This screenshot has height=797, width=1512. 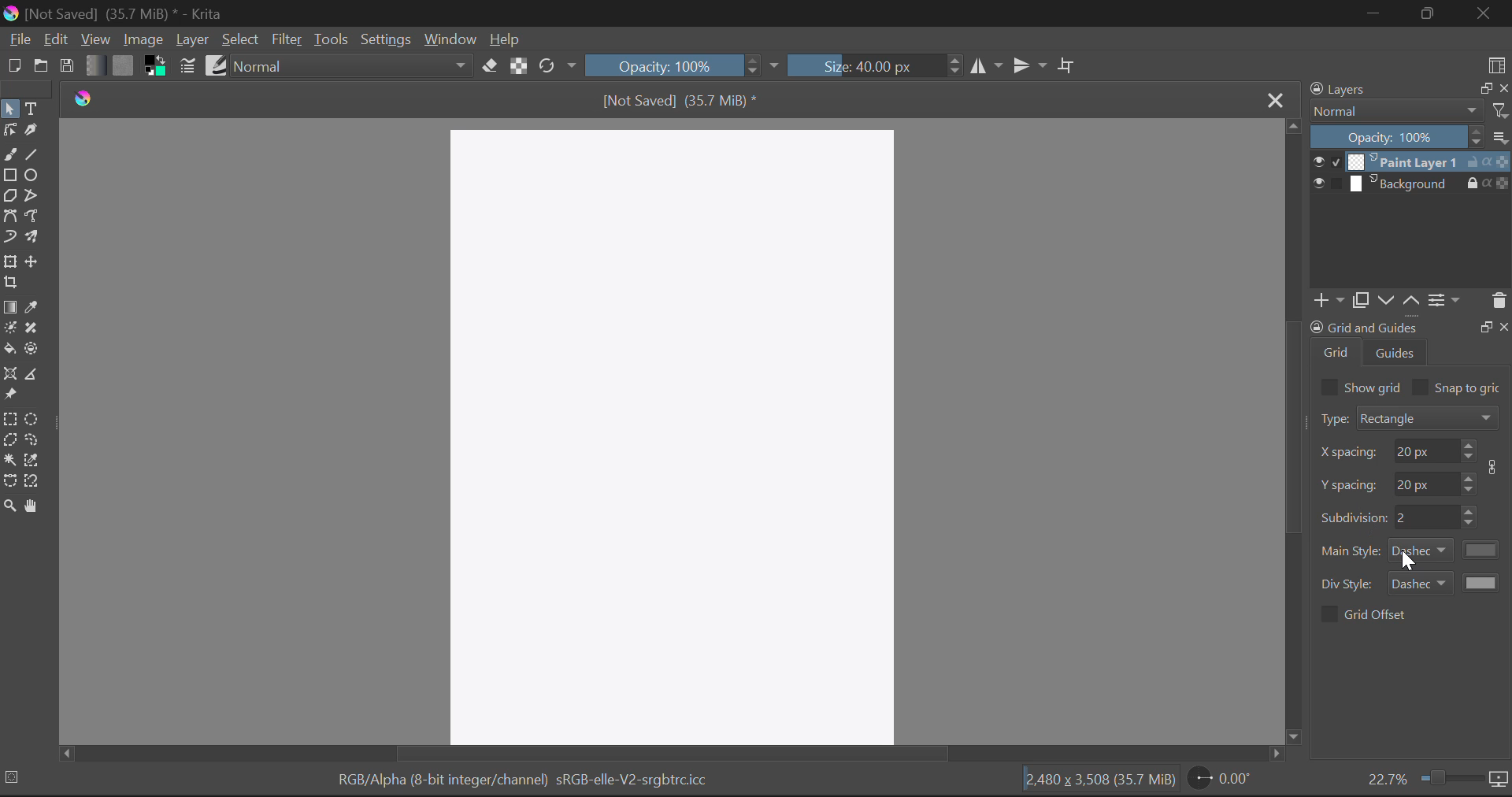 What do you see at coordinates (34, 441) in the screenshot?
I see `Freehand Selection` at bounding box center [34, 441].